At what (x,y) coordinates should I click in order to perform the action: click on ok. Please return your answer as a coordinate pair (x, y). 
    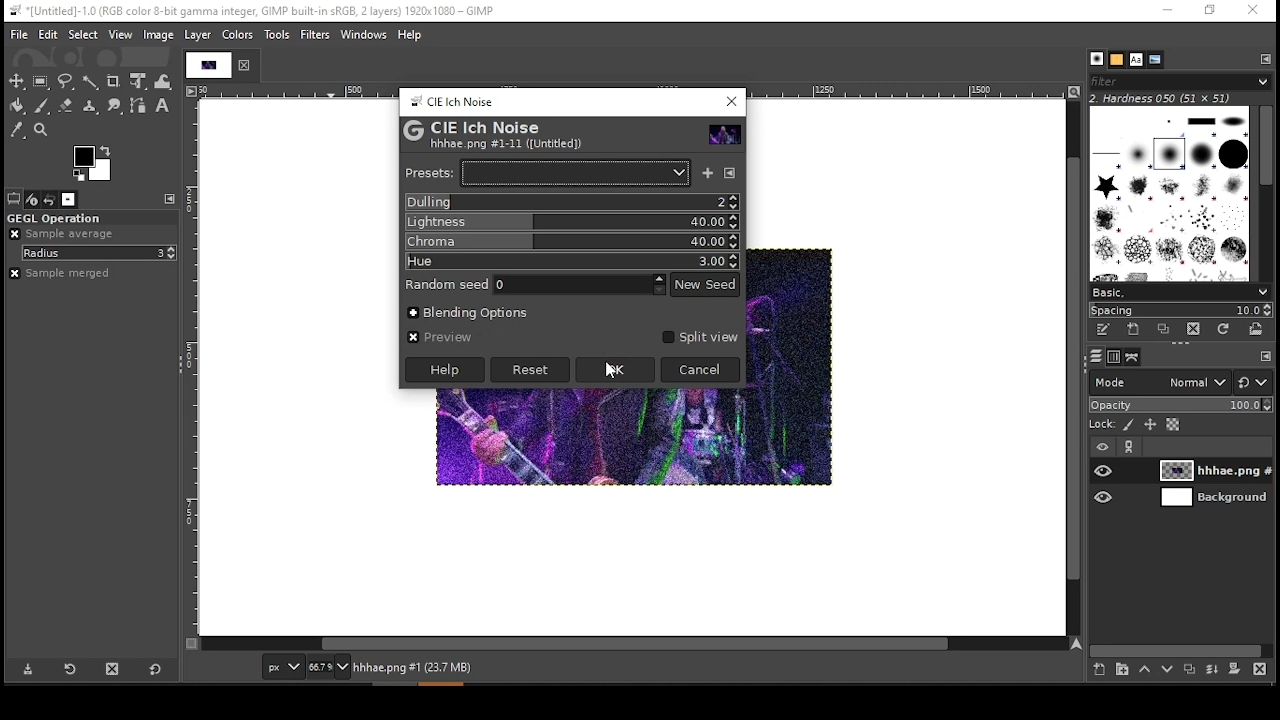
    Looking at the image, I should click on (617, 370).